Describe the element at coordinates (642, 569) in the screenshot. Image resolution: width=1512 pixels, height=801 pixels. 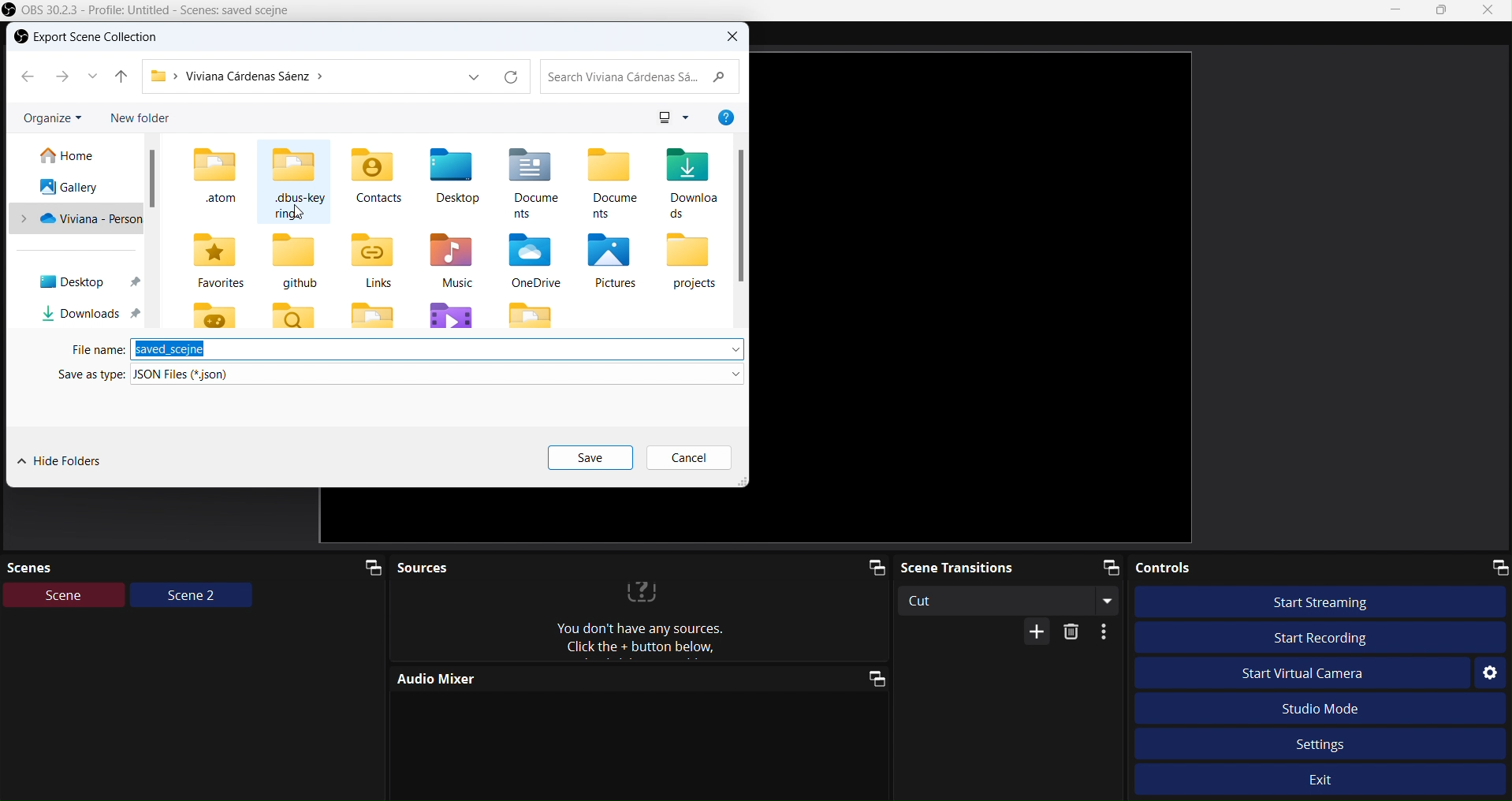
I see `Sources` at that location.